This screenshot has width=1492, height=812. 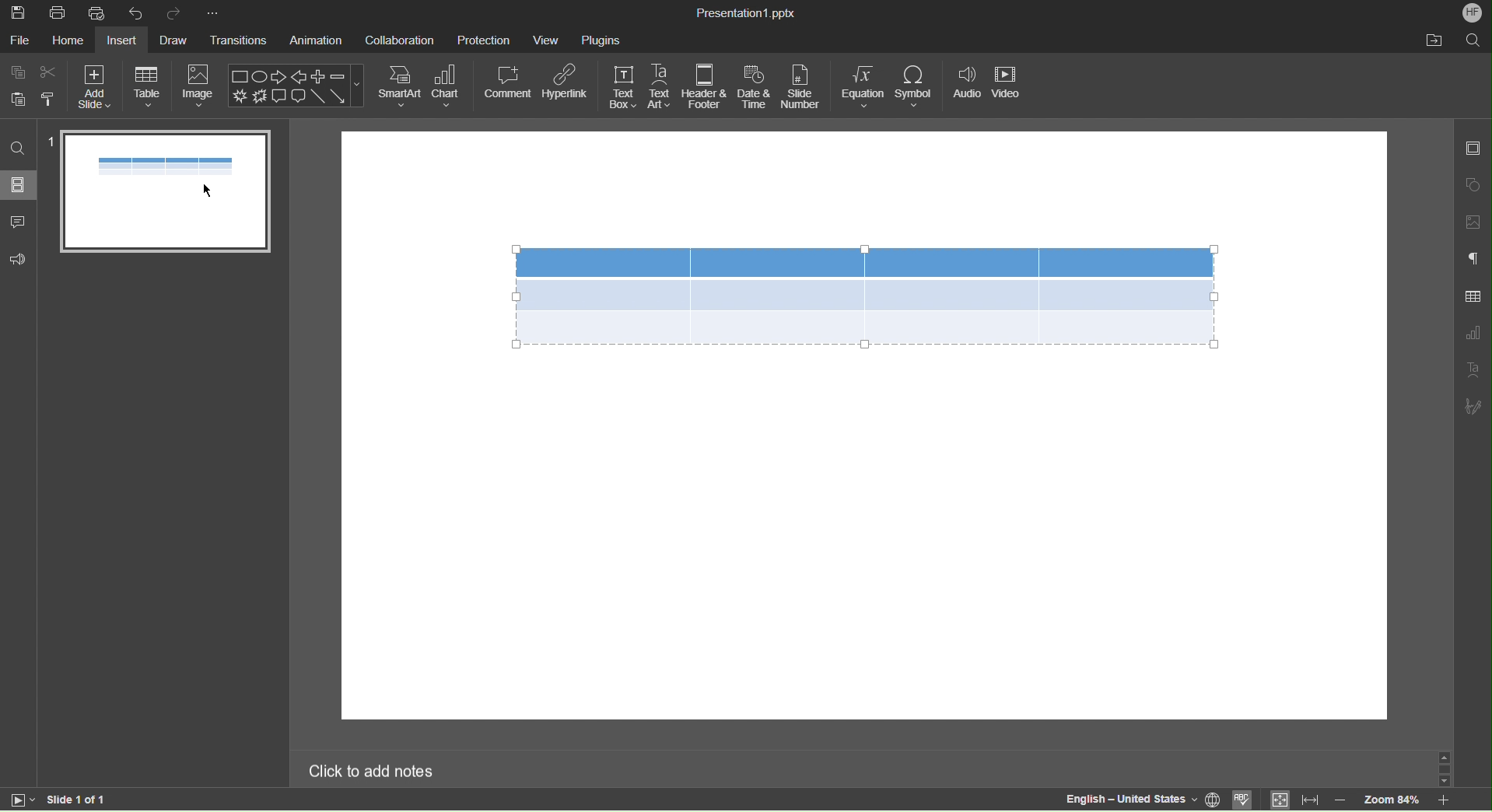 I want to click on English - United States, so click(x=1130, y=799).